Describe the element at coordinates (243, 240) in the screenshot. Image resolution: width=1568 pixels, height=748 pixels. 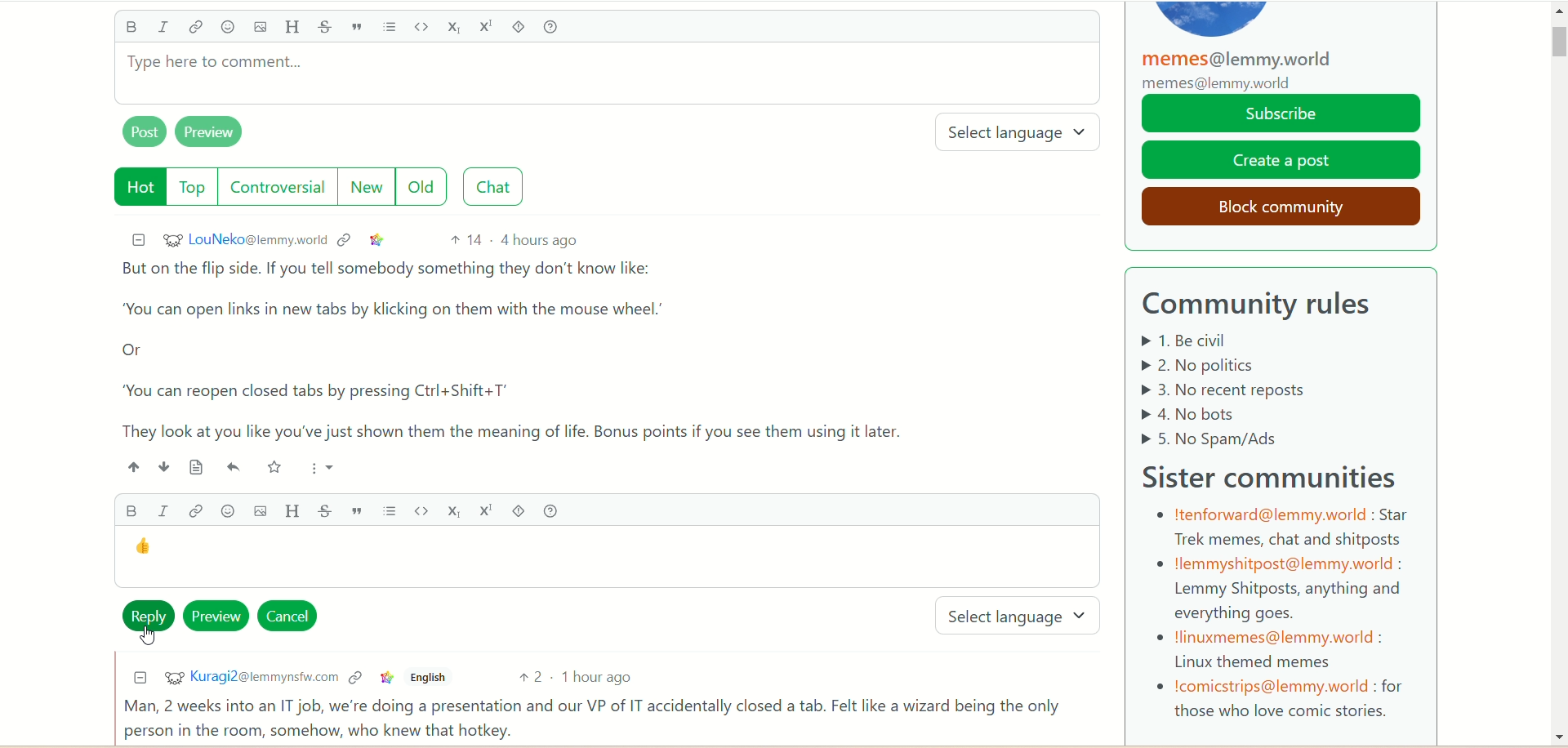
I see `username` at that location.